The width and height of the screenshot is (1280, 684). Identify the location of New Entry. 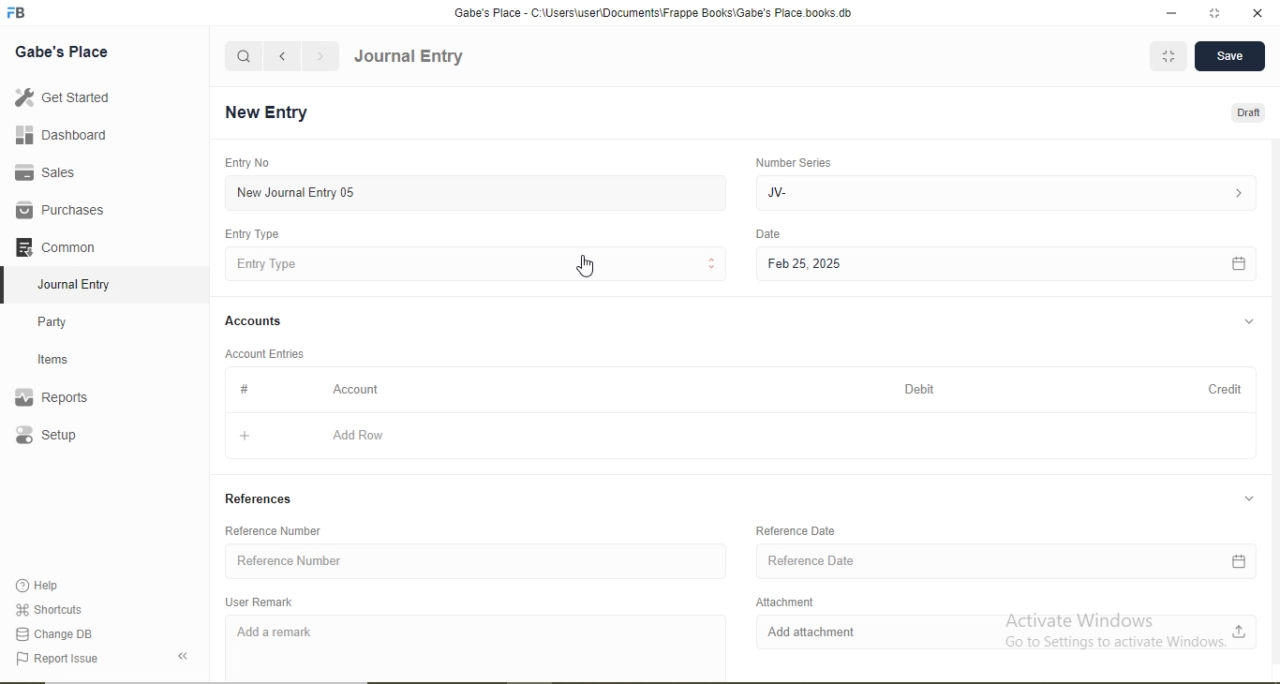
(272, 113).